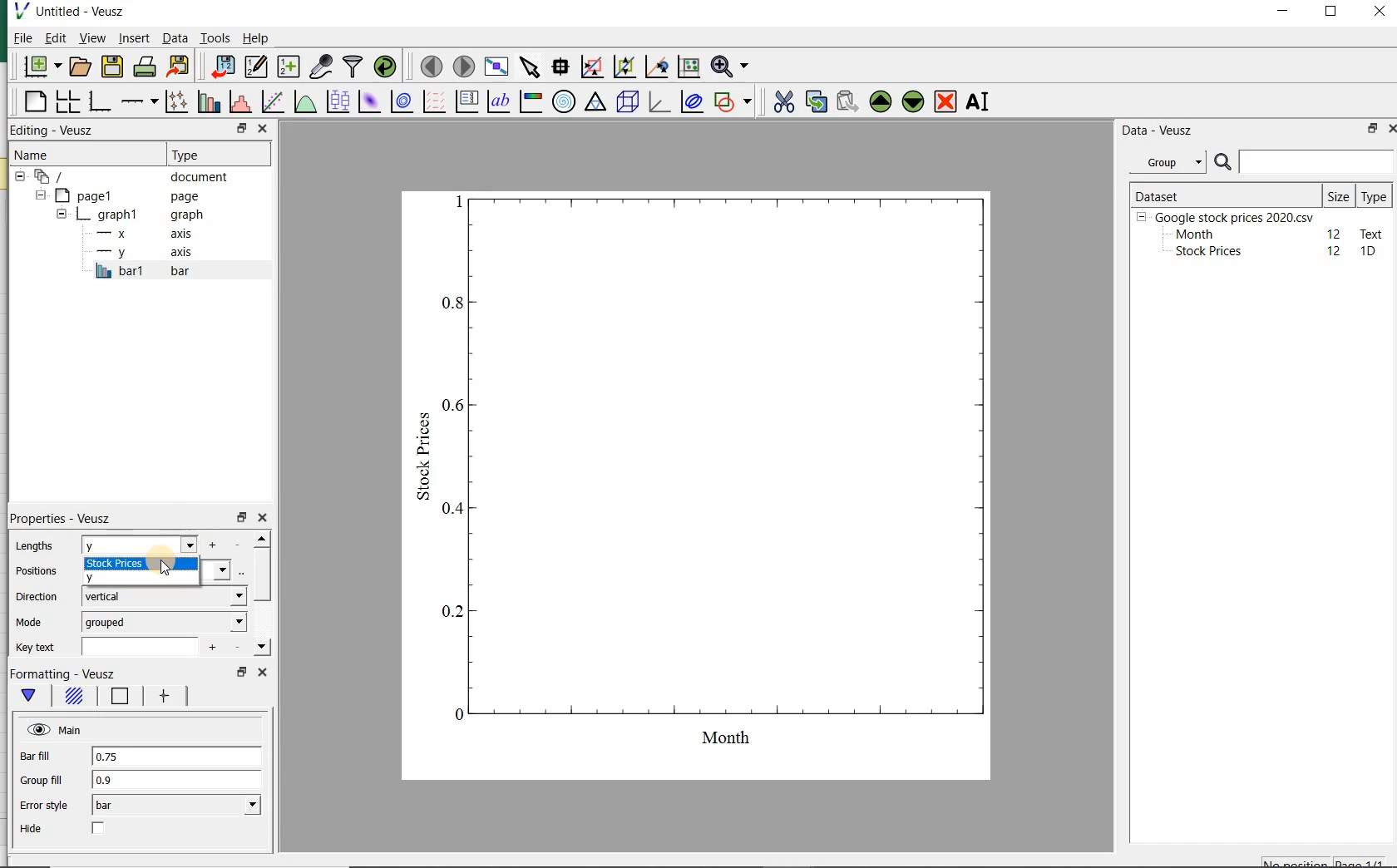 Image resolution: width=1397 pixels, height=868 pixels. Describe the element at coordinates (388, 67) in the screenshot. I see `reload linked datasets` at that location.